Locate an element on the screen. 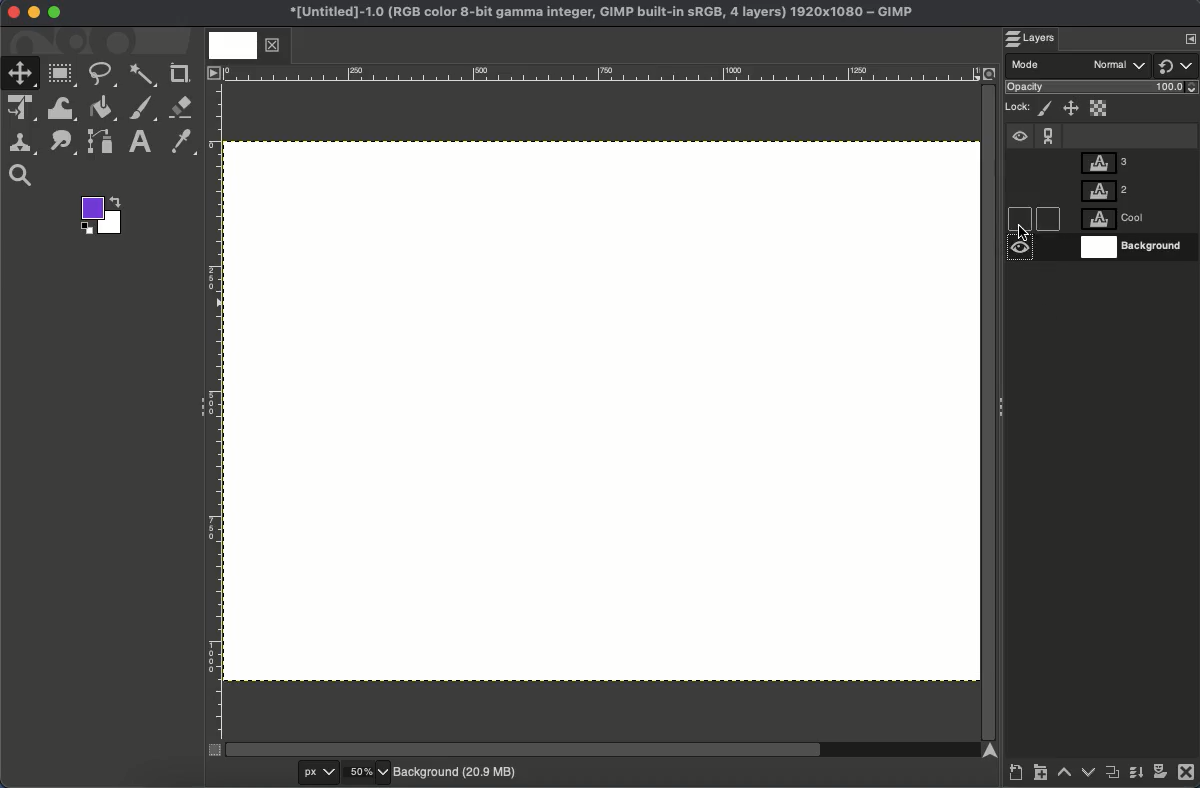  Maximize is located at coordinates (55, 15).